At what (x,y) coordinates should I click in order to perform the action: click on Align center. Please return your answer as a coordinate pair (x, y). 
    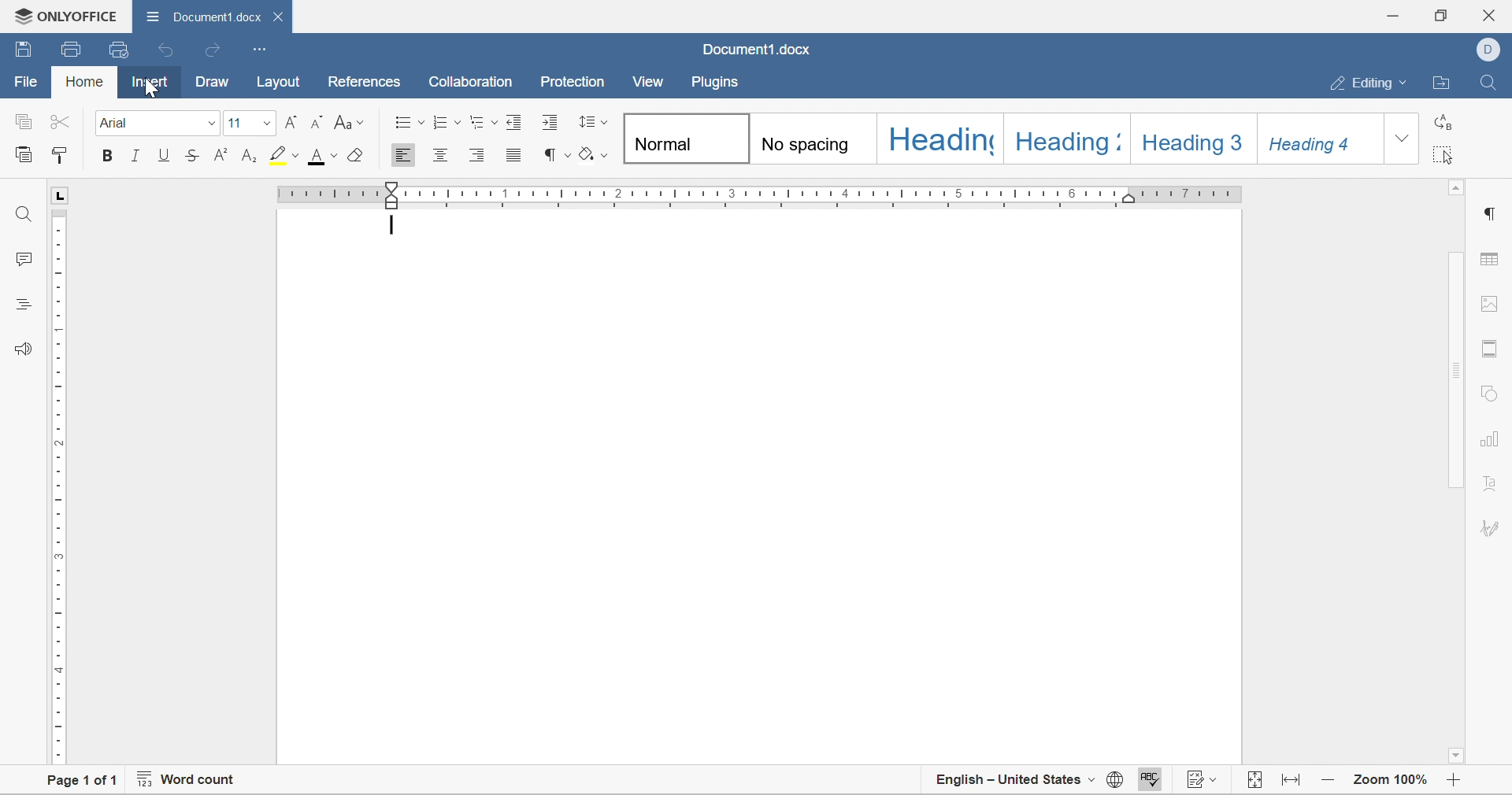
    Looking at the image, I should click on (443, 157).